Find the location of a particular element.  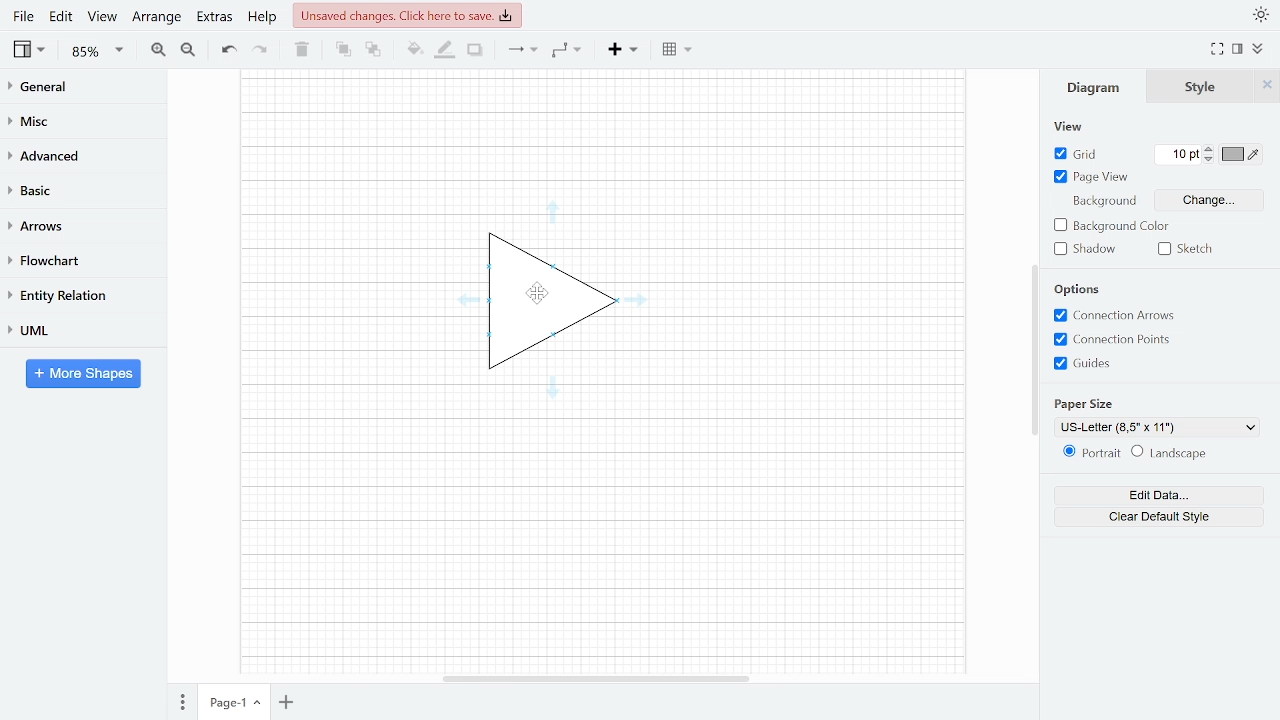

Current paper size is located at coordinates (1156, 428).